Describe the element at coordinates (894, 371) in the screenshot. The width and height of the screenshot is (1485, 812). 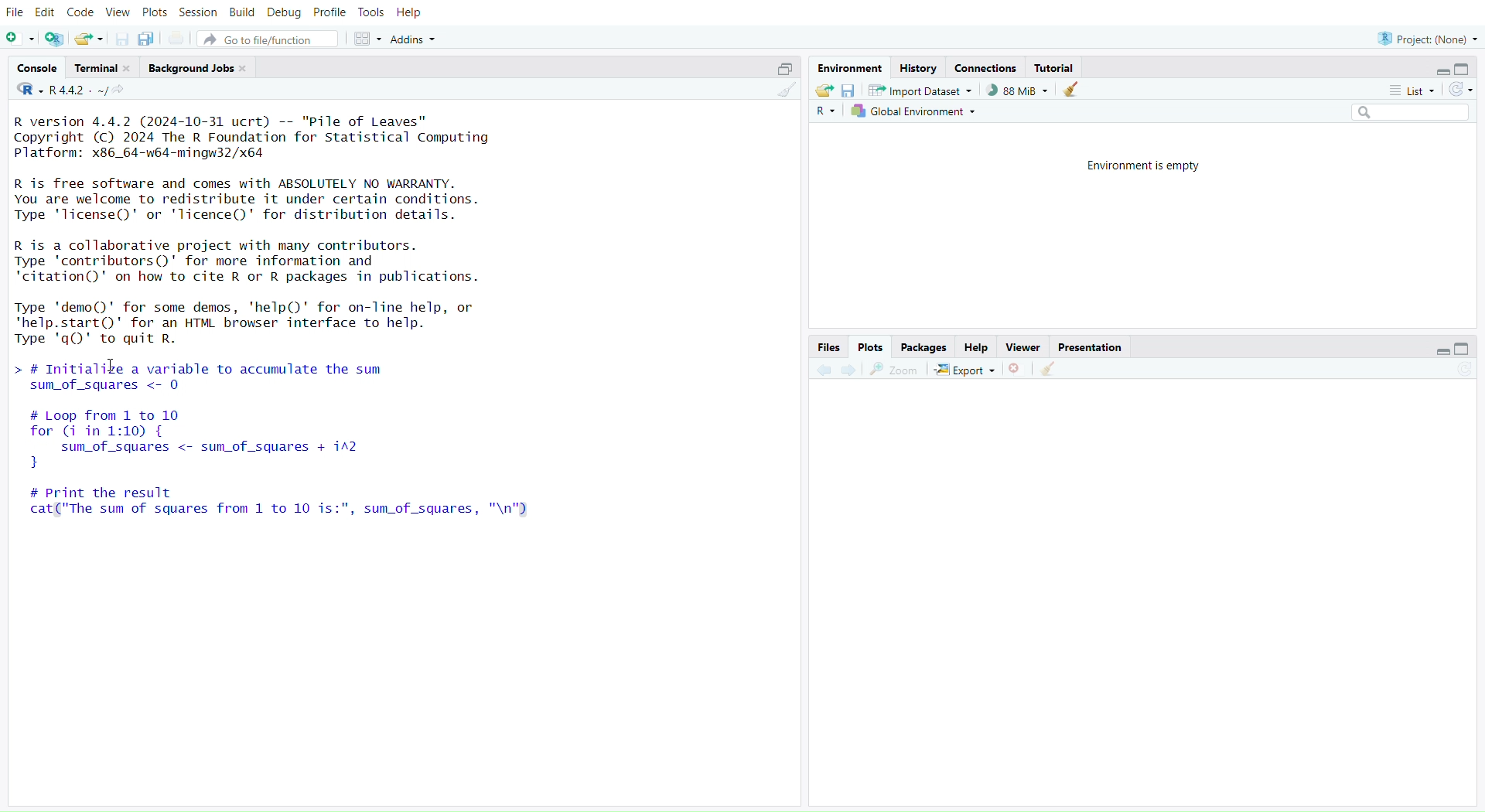
I see `zoom` at that location.